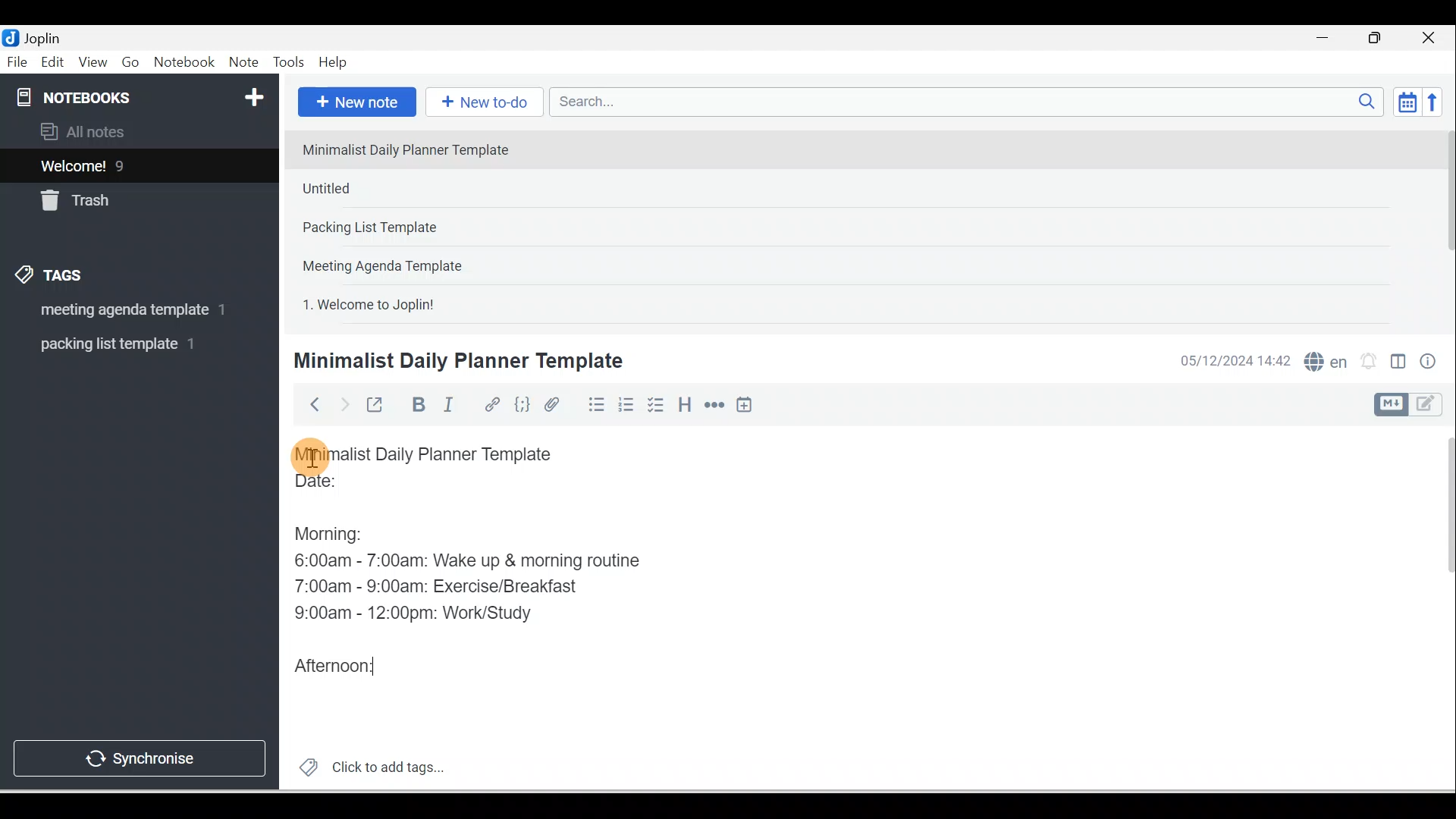 The width and height of the screenshot is (1456, 819). What do you see at coordinates (340, 530) in the screenshot?
I see `Morning:` at bounding box center [340, 530].